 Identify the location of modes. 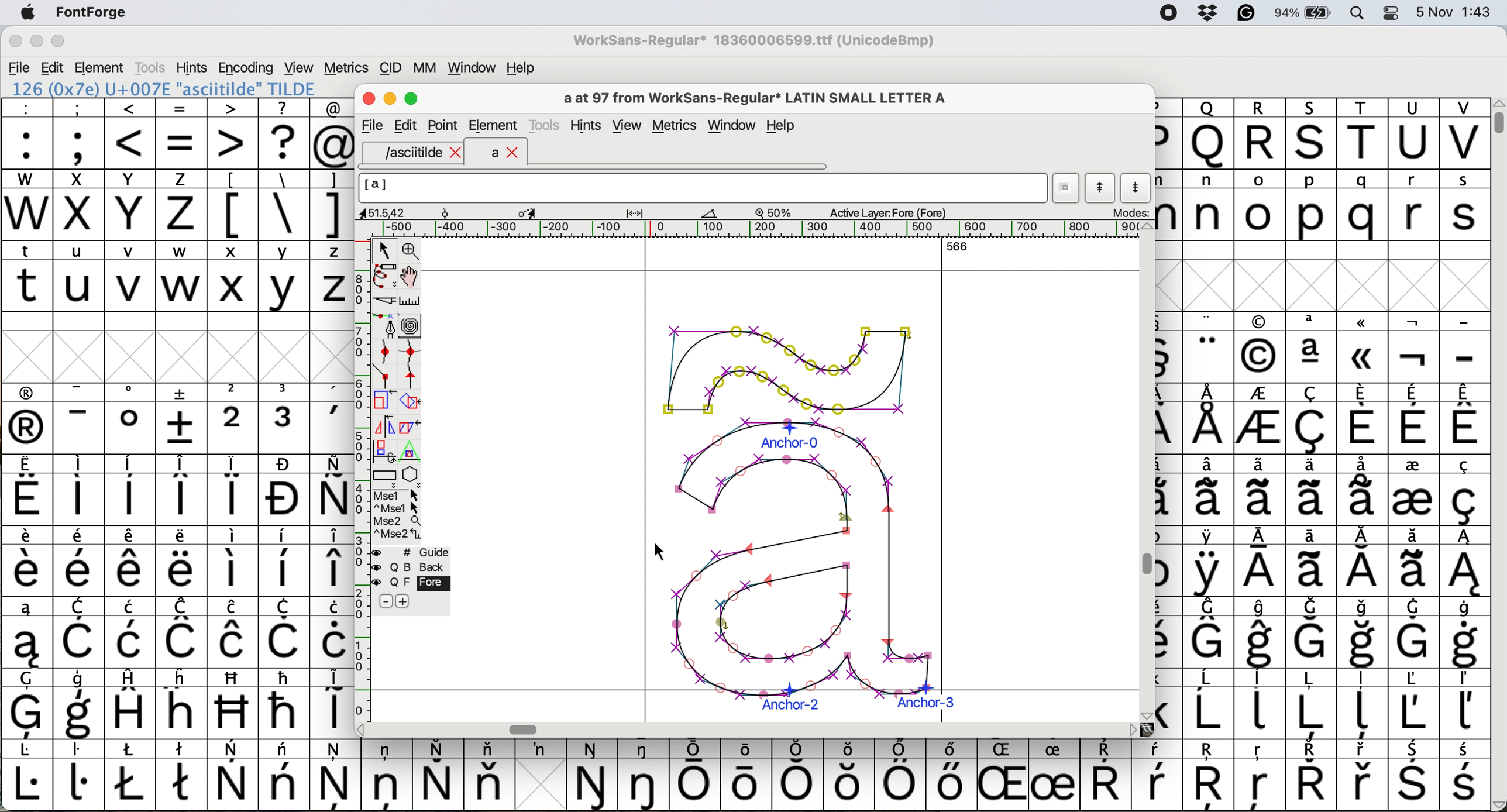
(1130, 212).